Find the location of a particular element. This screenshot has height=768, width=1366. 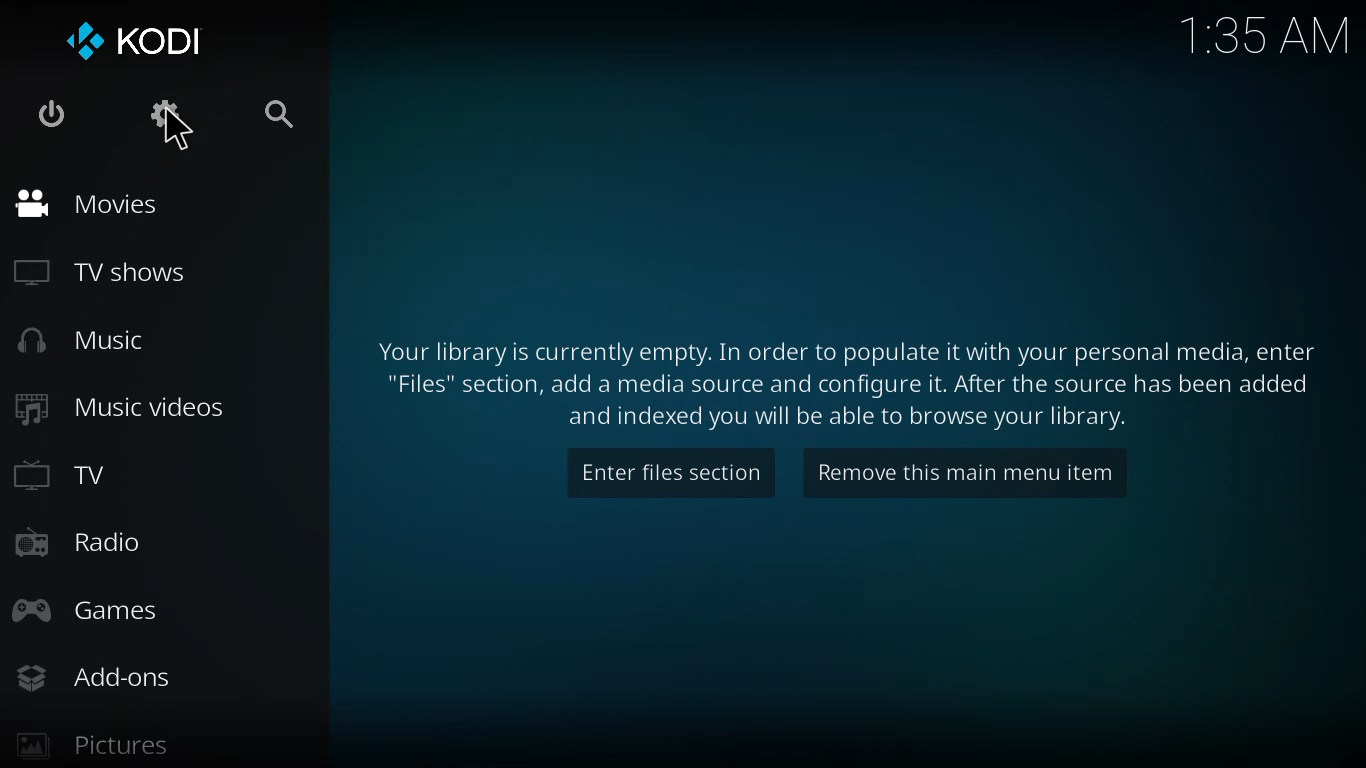

add-ons is located at coordinates (92, 680).